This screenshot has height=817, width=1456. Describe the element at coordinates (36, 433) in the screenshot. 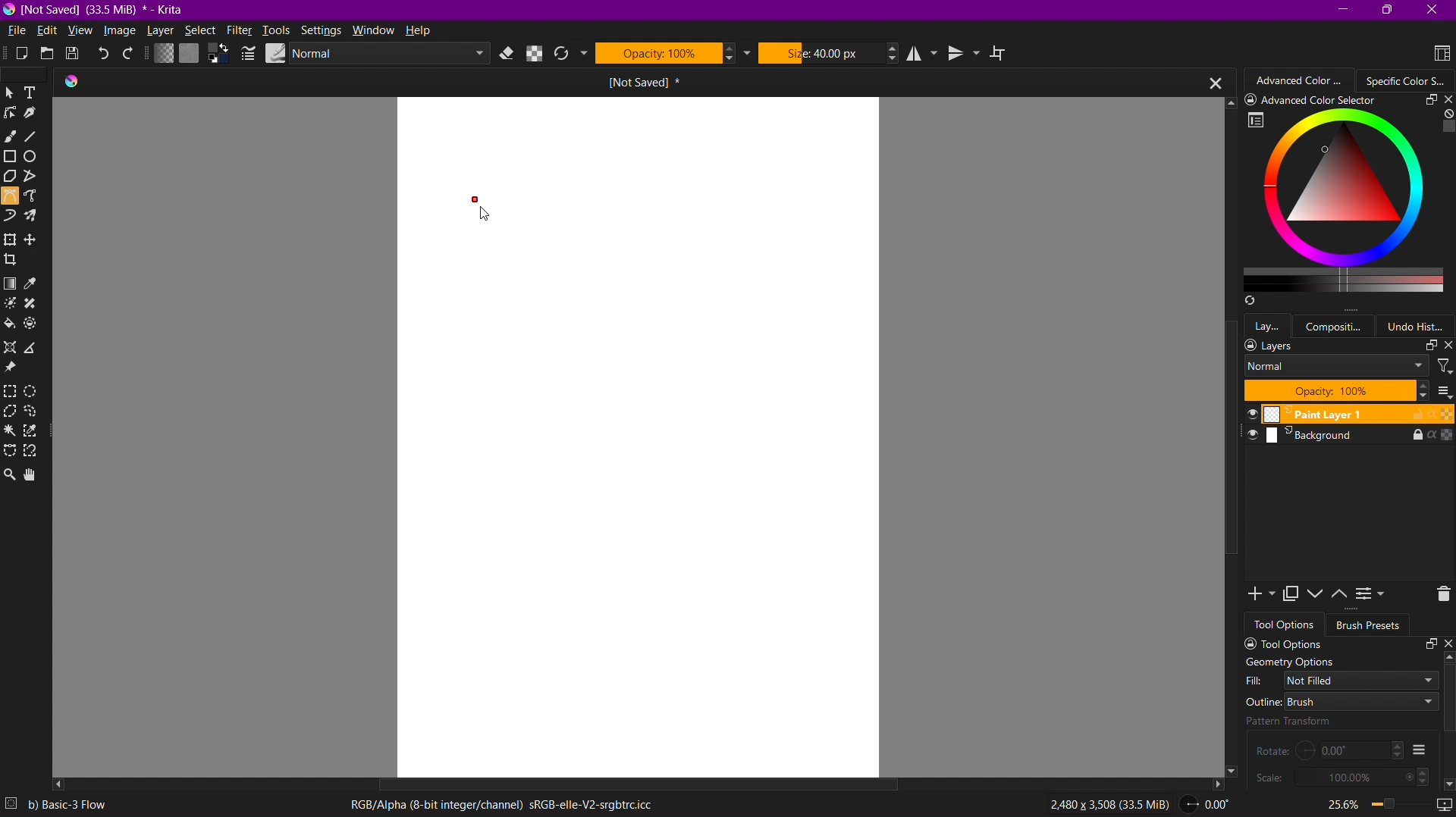

I see `Similar Color Selection Tool` at that location.